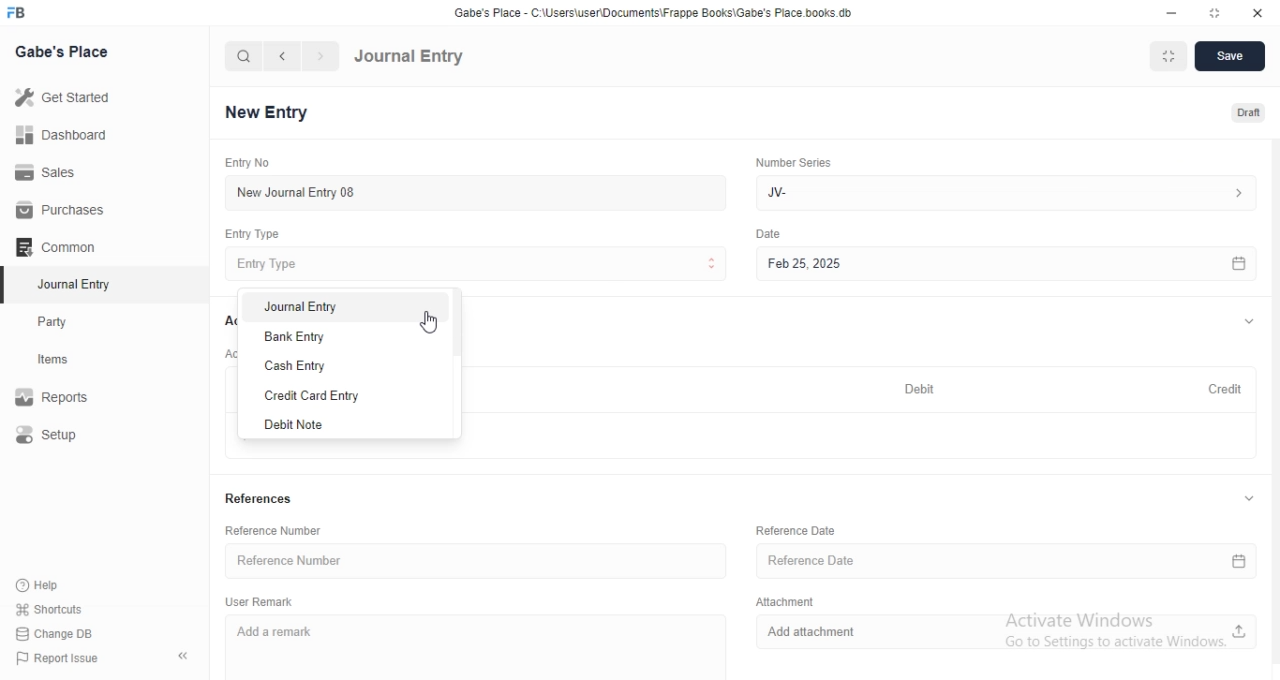 Image resolution: width=1280 pixels, height=680 pixels. Describe the element at coordinates (321, 56) in the screenshot. I see `navigate forward` at that location.